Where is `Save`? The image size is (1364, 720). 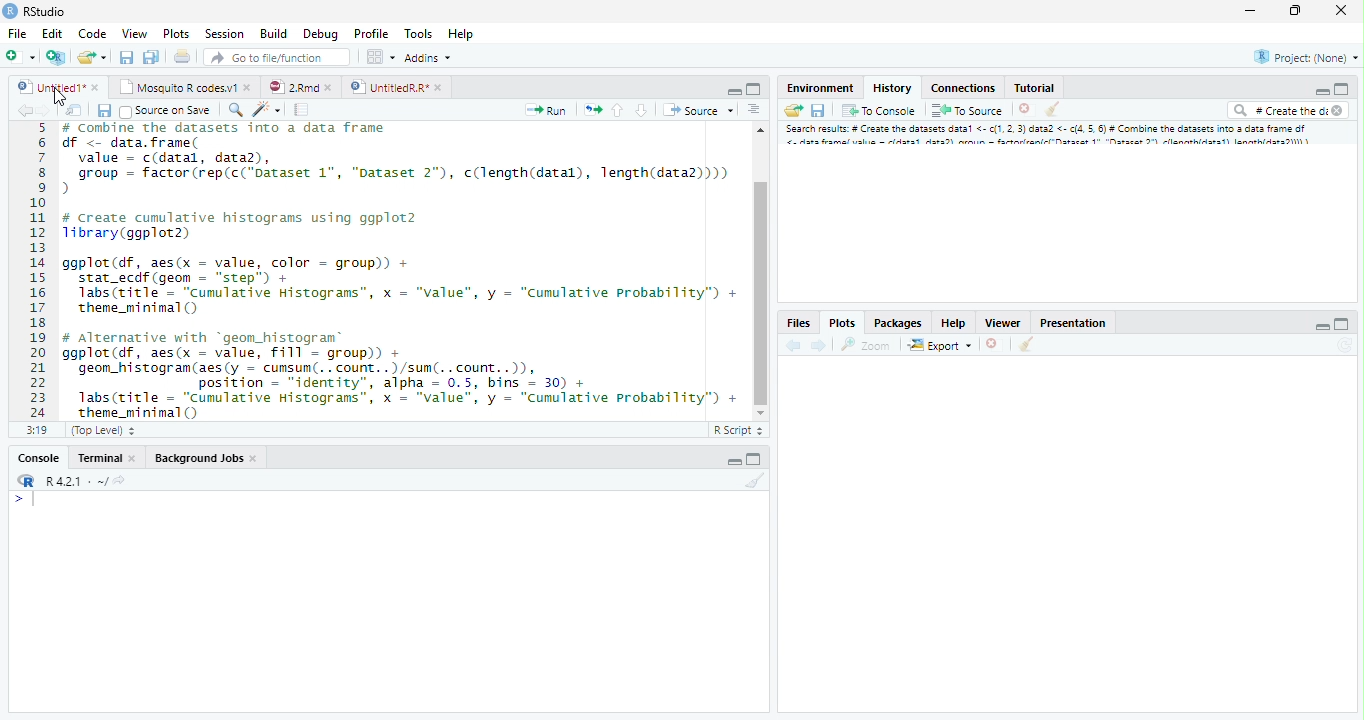 Save is located at coordinates (126, 57).